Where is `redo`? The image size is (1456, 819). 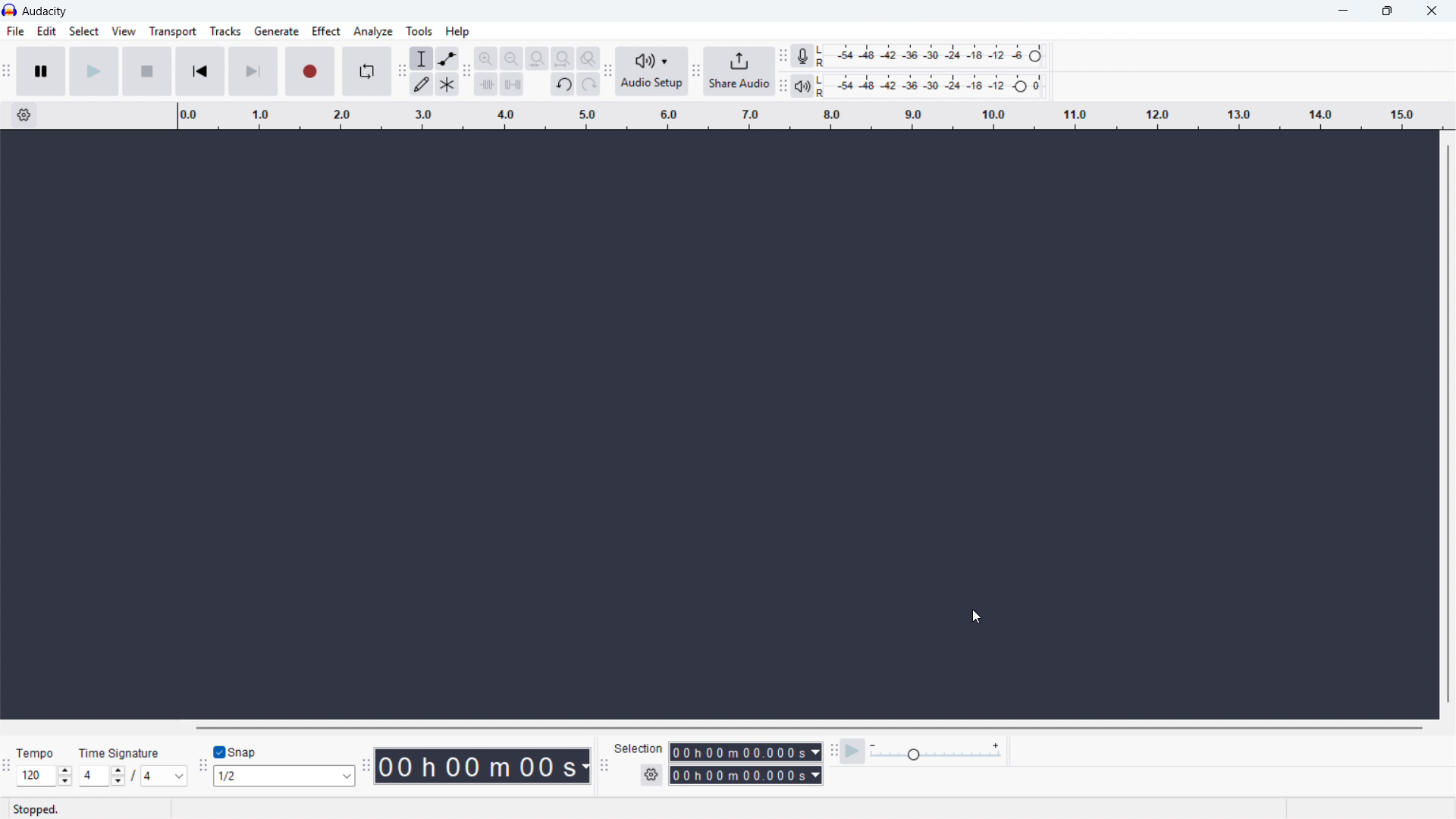 redo is located at coordinates (588, 83).